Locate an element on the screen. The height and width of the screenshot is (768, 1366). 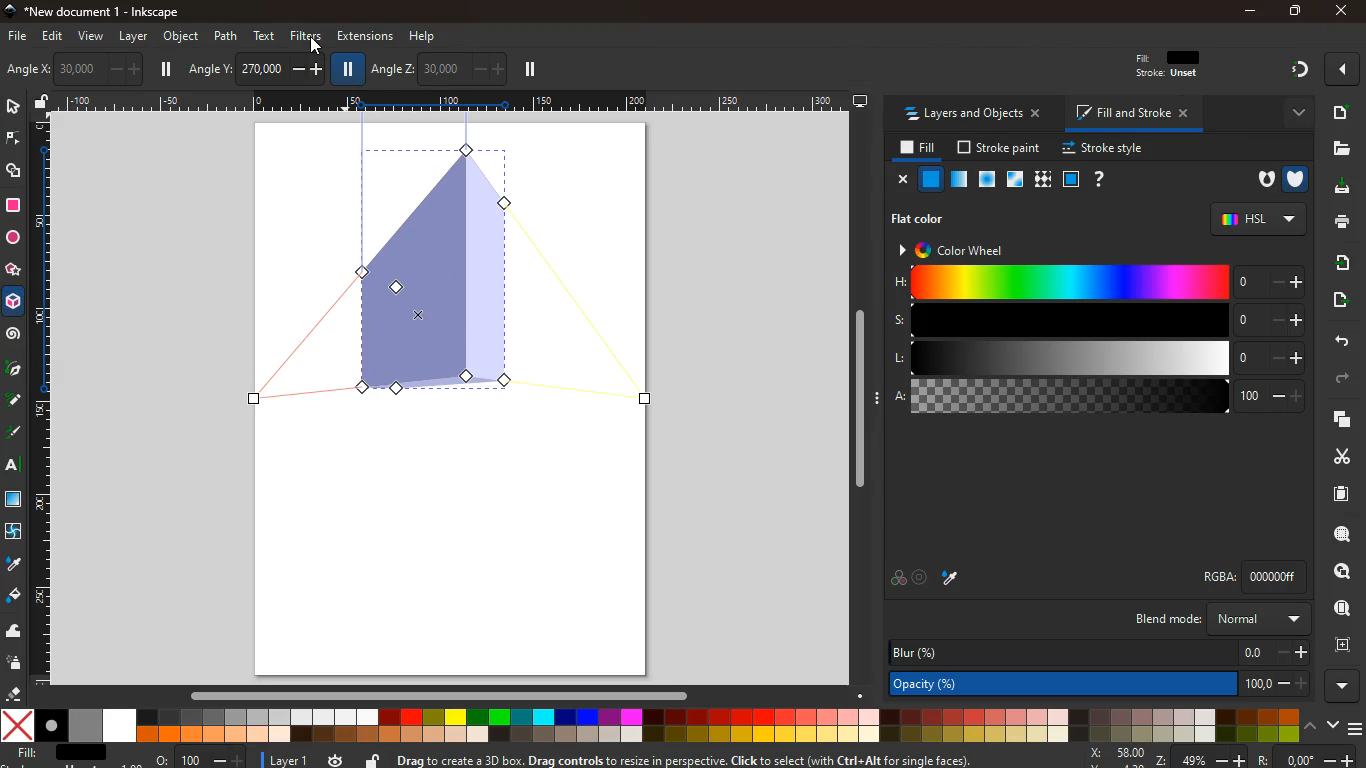
down is located at coordinates (1332, 726).